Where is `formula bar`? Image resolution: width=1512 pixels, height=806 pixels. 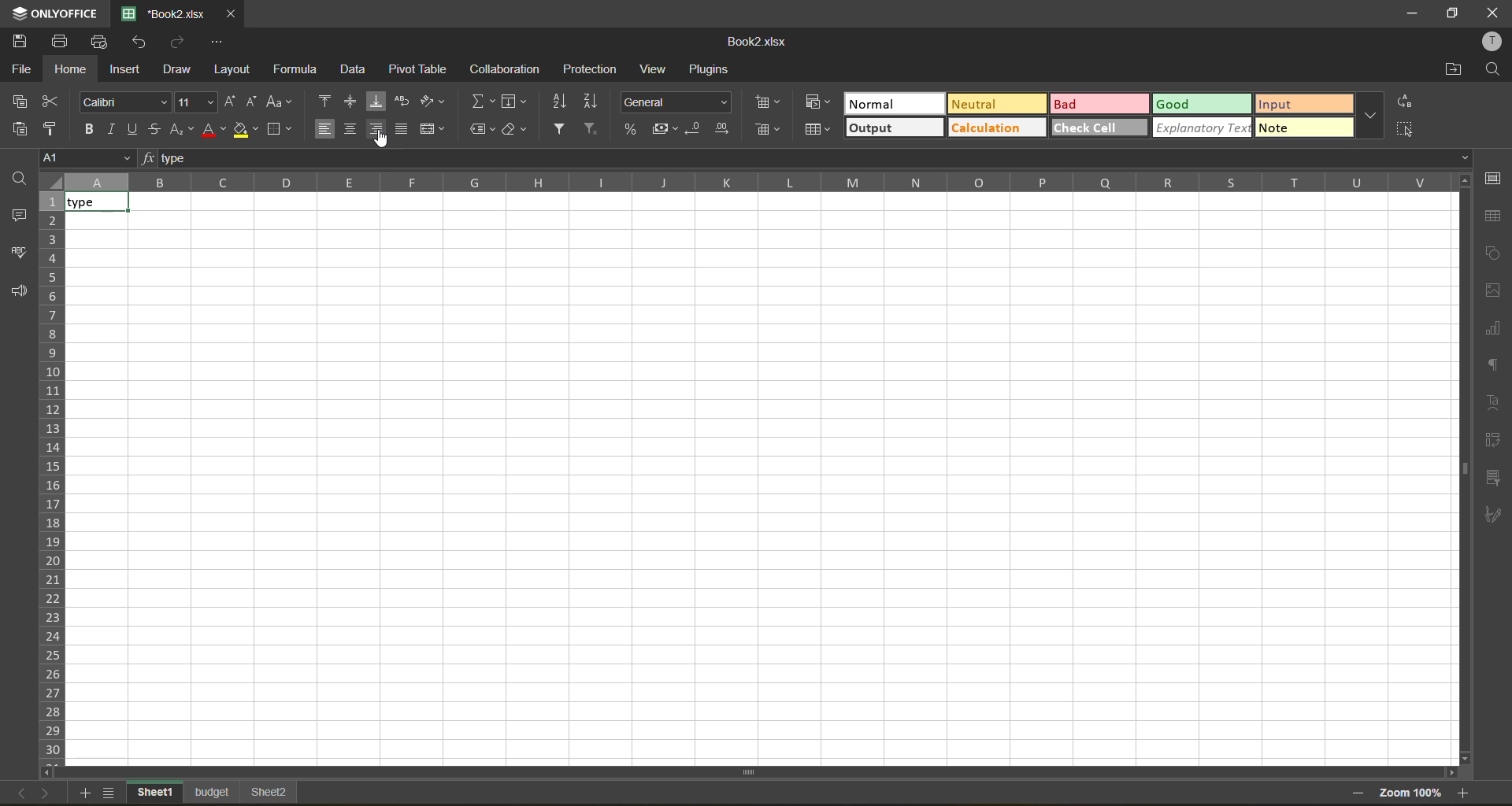
formula bar is located at coordinates (817, 159).